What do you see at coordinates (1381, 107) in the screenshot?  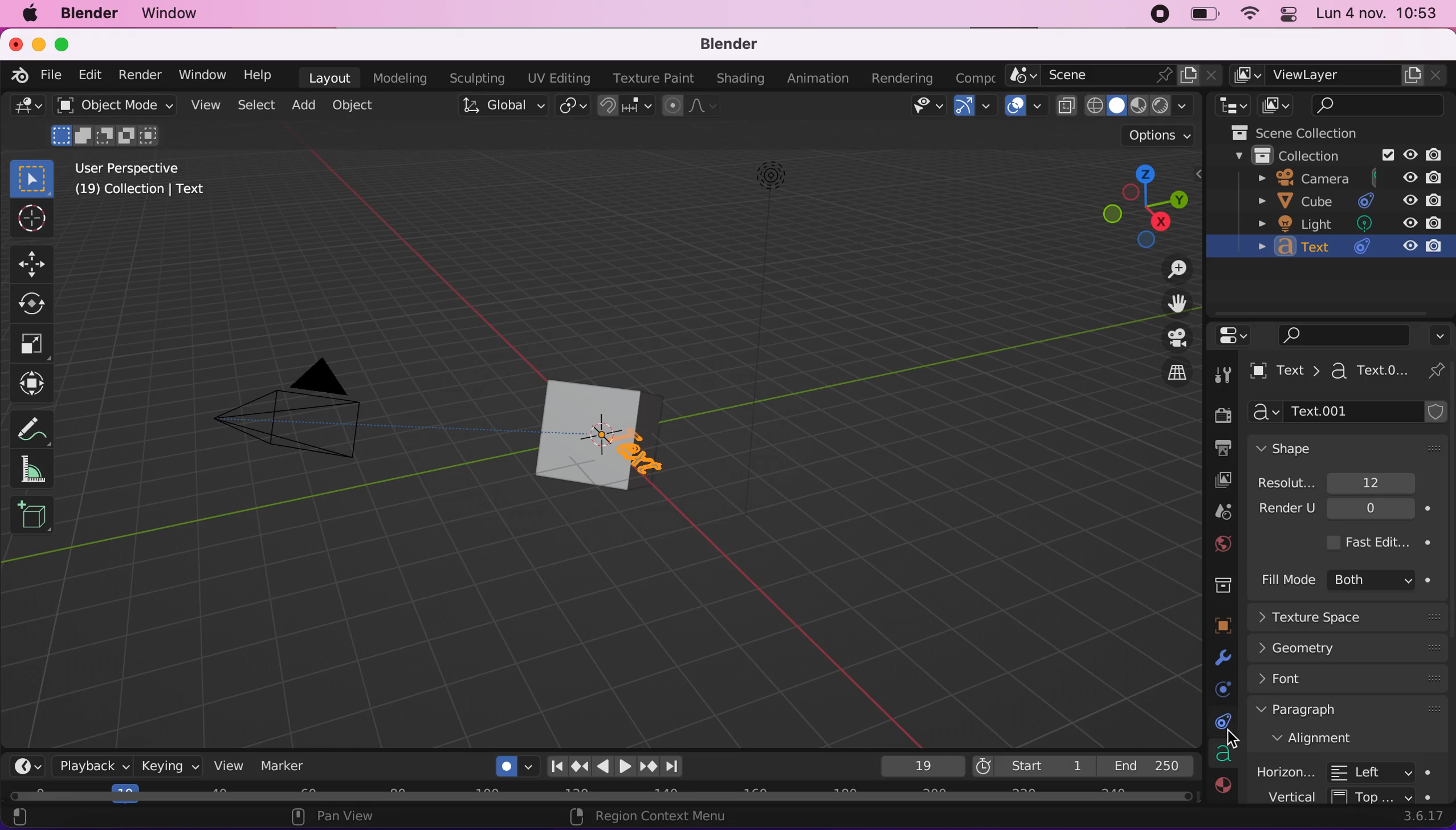 I see `search` at bounding box center [1381, 107].